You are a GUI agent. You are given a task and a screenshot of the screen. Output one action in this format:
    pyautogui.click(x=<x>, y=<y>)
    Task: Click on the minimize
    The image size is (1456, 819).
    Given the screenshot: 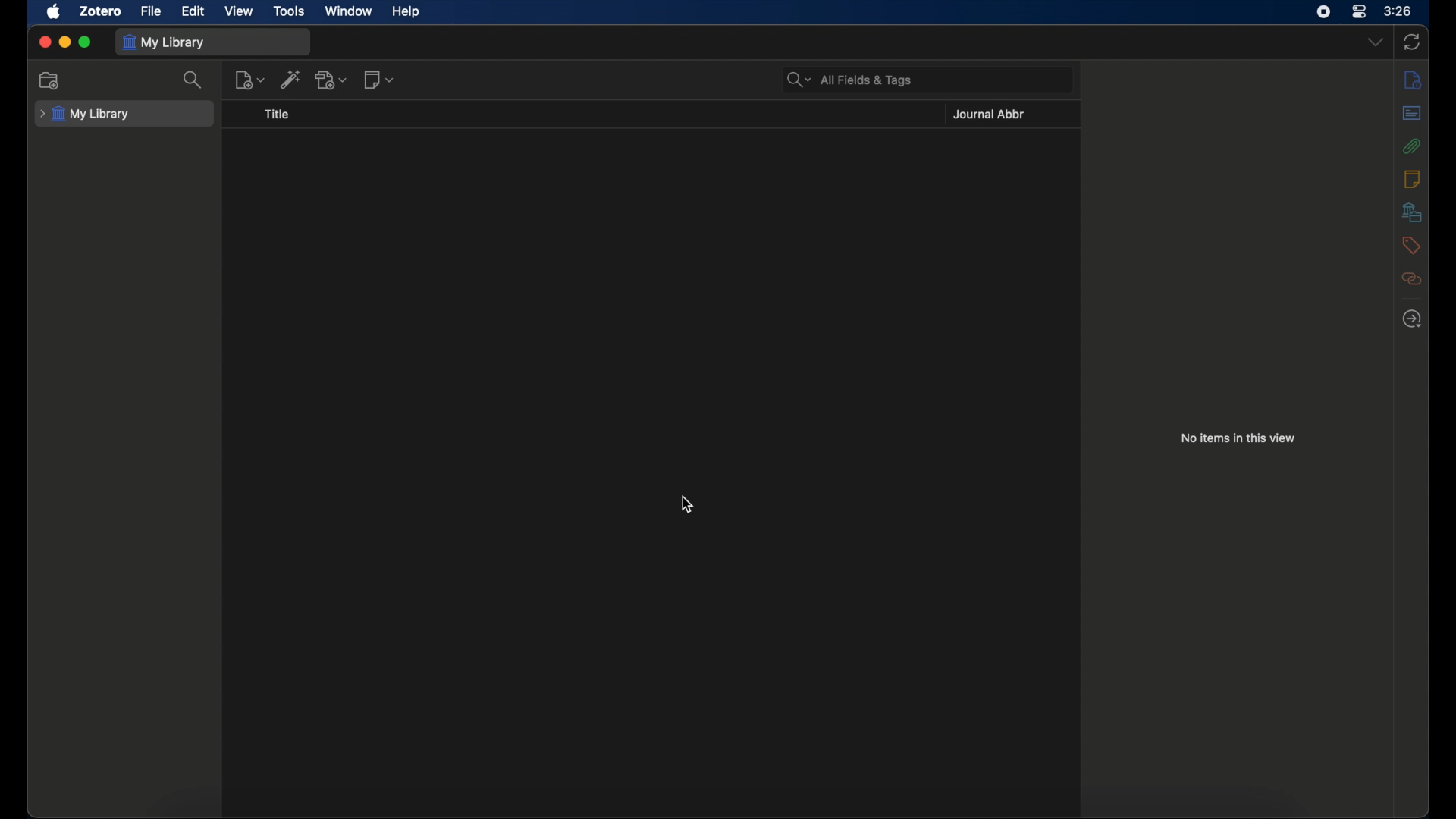 What is the action you would take?
    pyautogui.click(x=65, y=42)
    